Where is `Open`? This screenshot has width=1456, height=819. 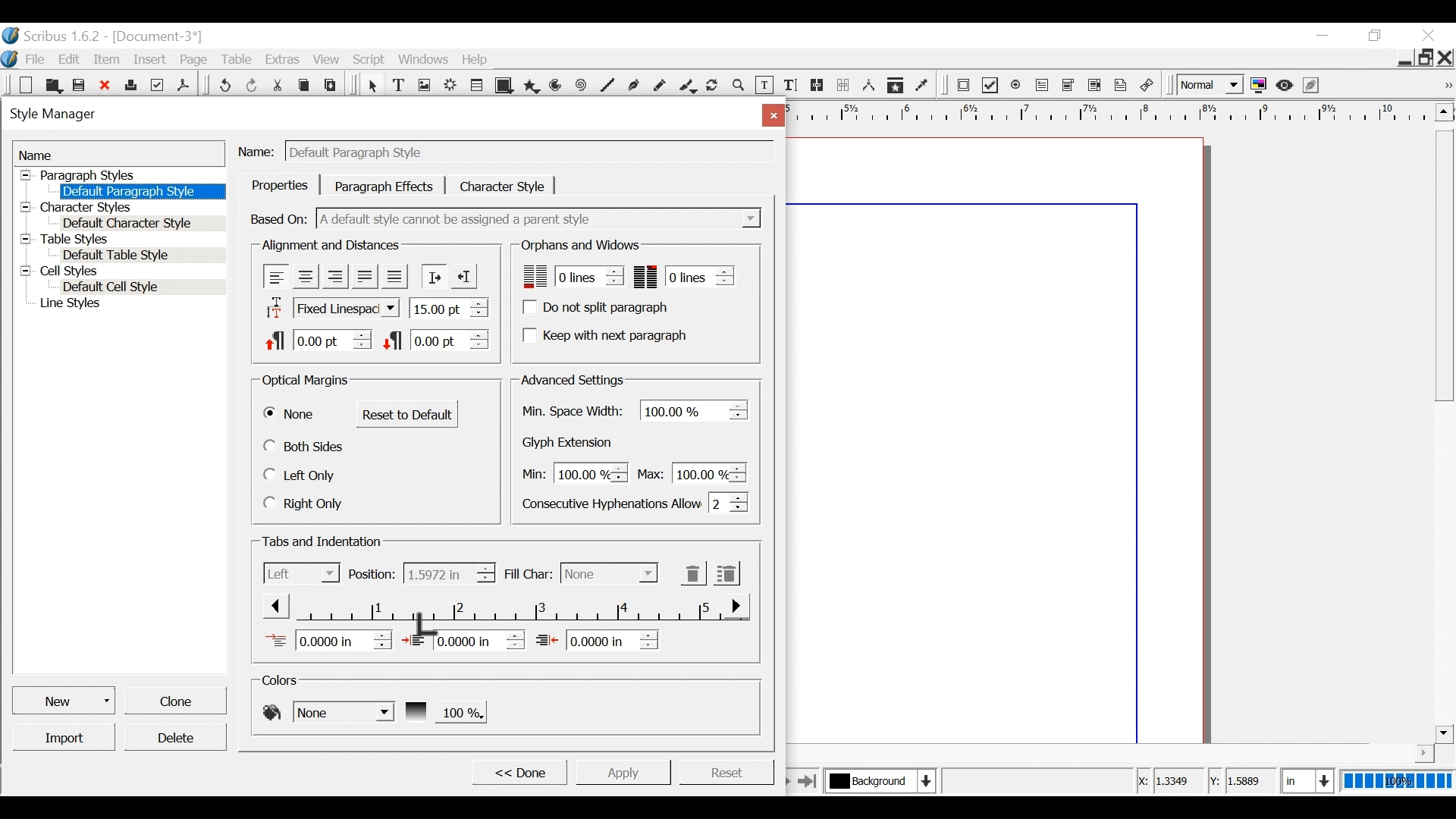
Open is located at coordinates (52, 85).